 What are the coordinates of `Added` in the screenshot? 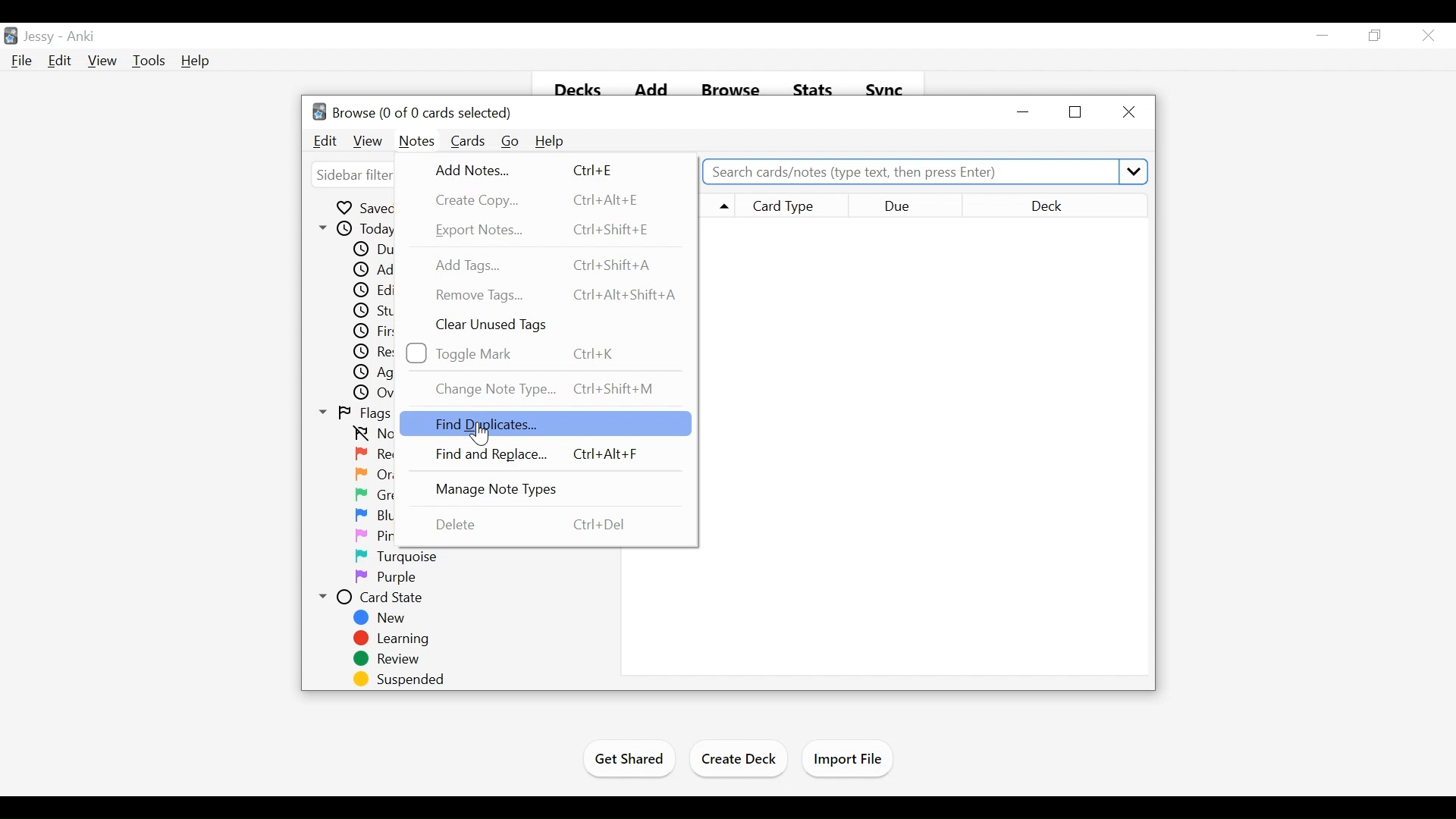 It's located at (380, 271).